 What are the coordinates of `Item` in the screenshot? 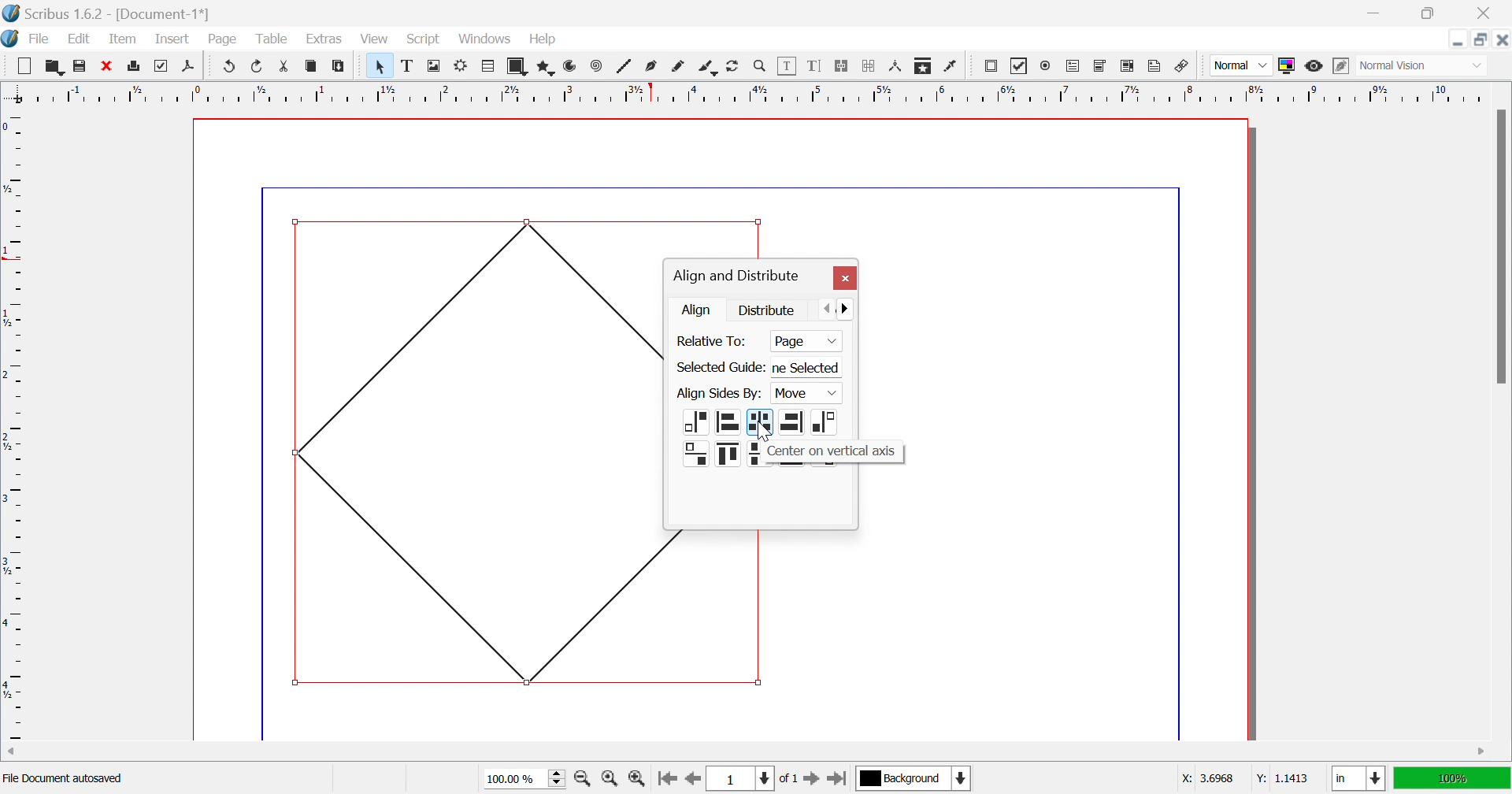 It's located at (123, 38).